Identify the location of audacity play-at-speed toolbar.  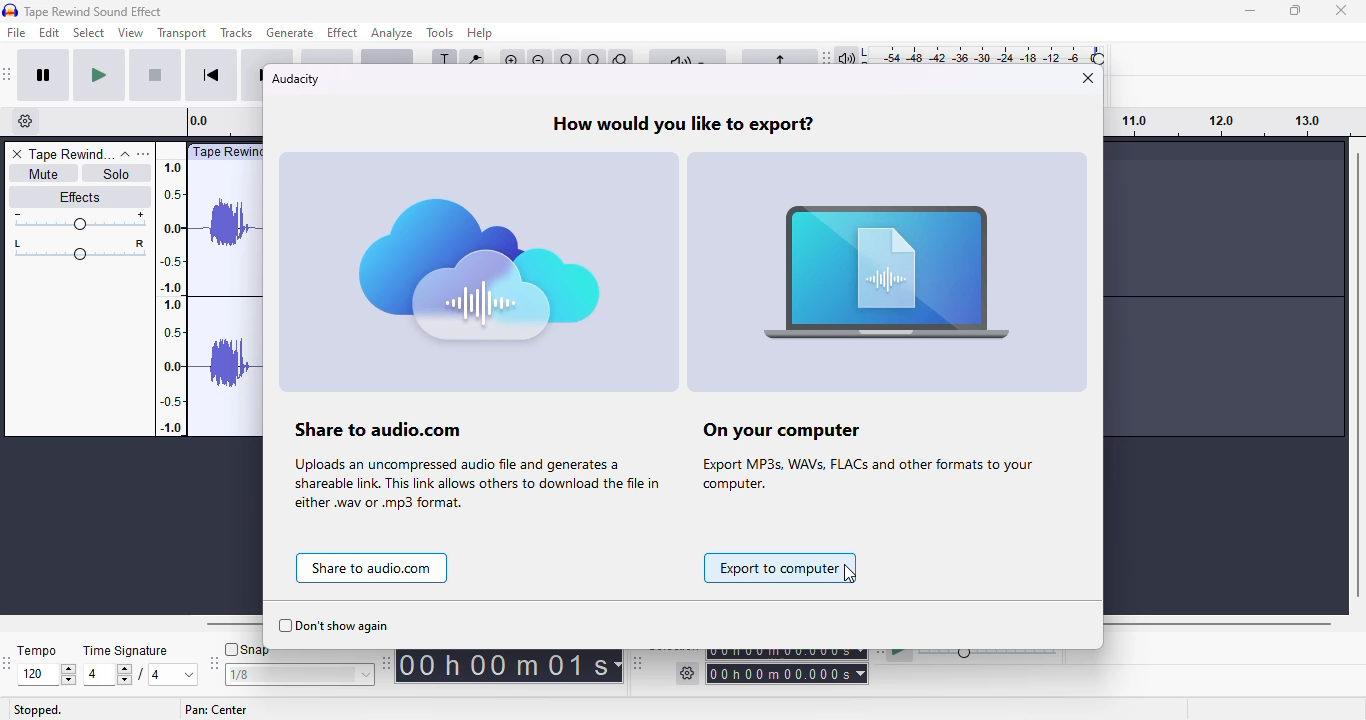
(971, 656).